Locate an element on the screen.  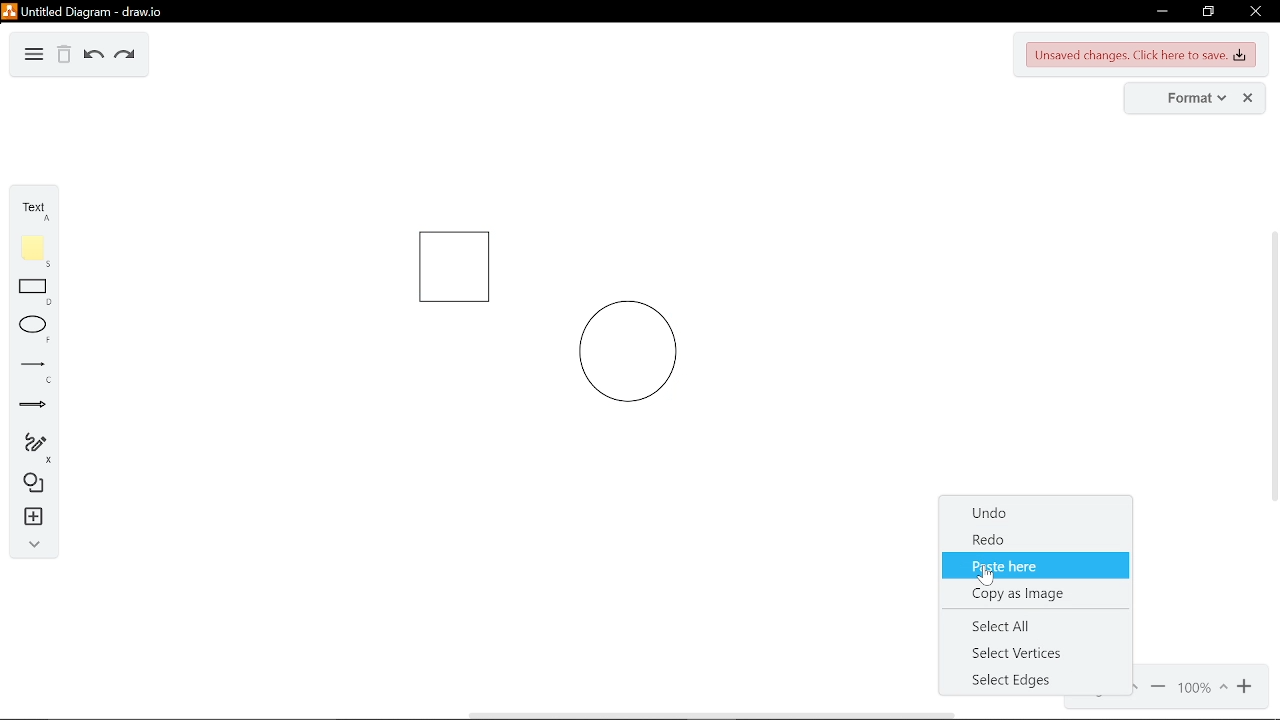
redo is located at coordinates (1037, 542).